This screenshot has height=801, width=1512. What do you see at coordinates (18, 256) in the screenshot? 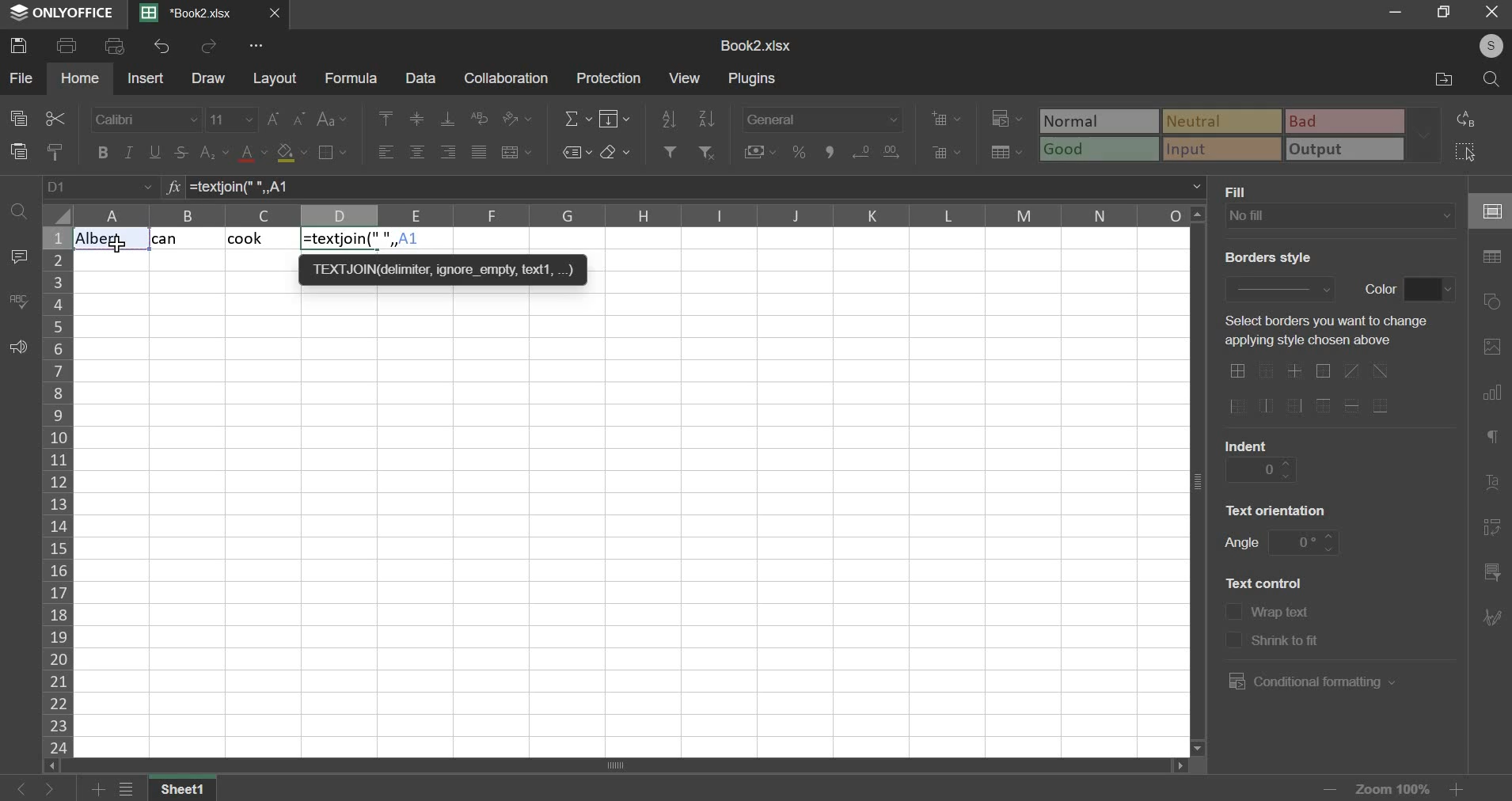
I see `comment` at bounding box center [18, 256].